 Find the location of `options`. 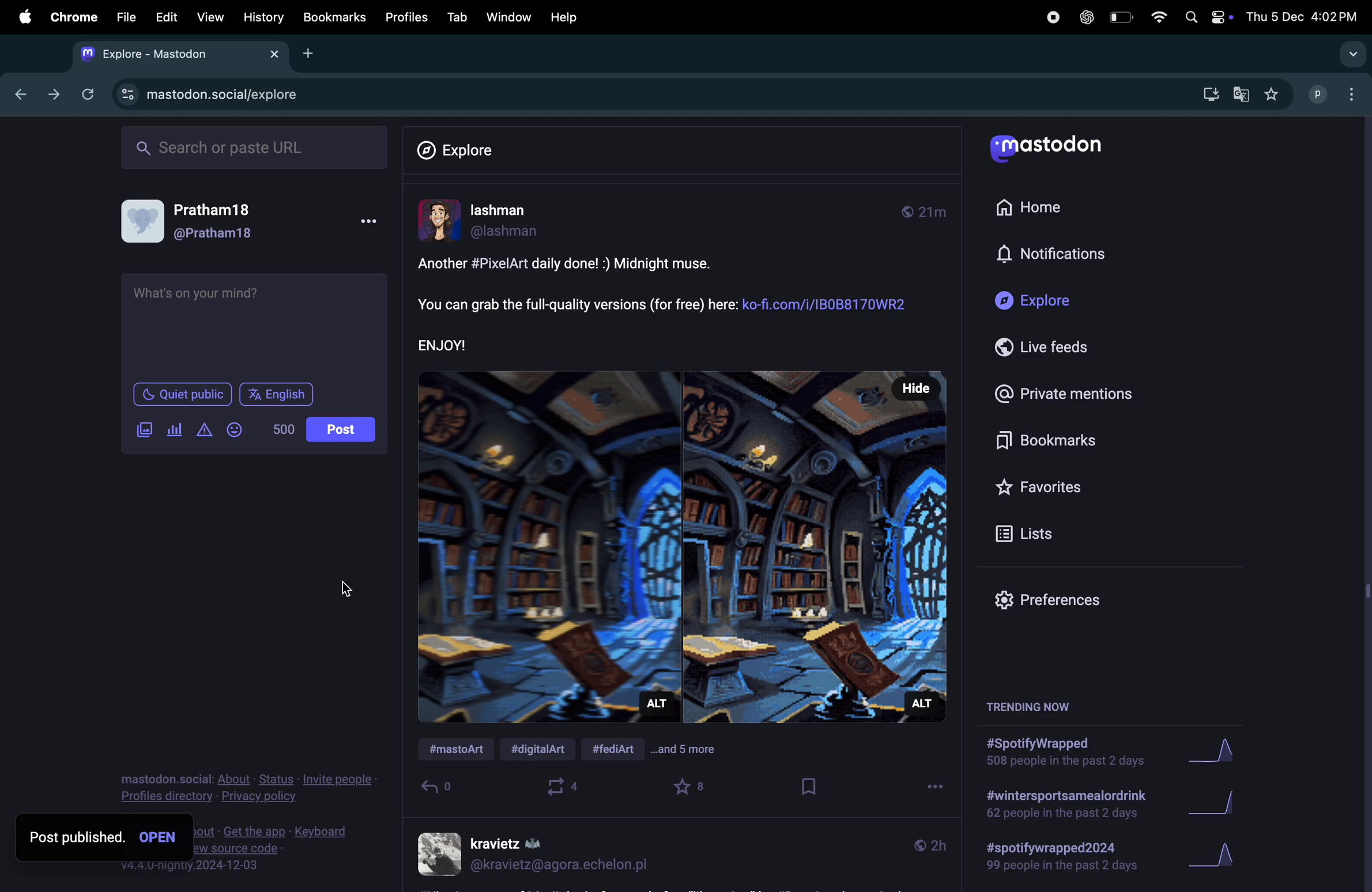

options is located at coordinates (372, 221).